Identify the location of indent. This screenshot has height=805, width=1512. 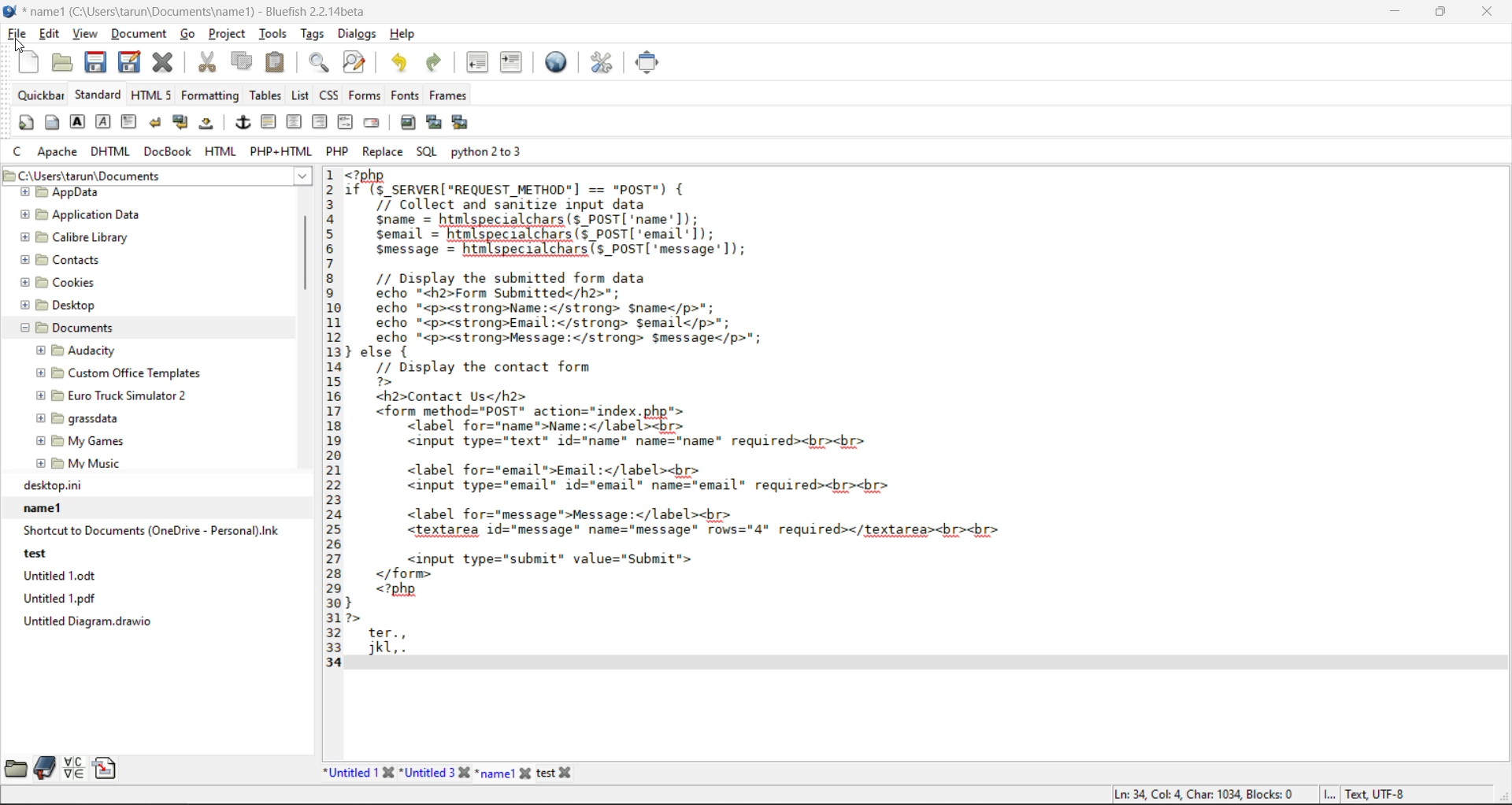
(513, 65).